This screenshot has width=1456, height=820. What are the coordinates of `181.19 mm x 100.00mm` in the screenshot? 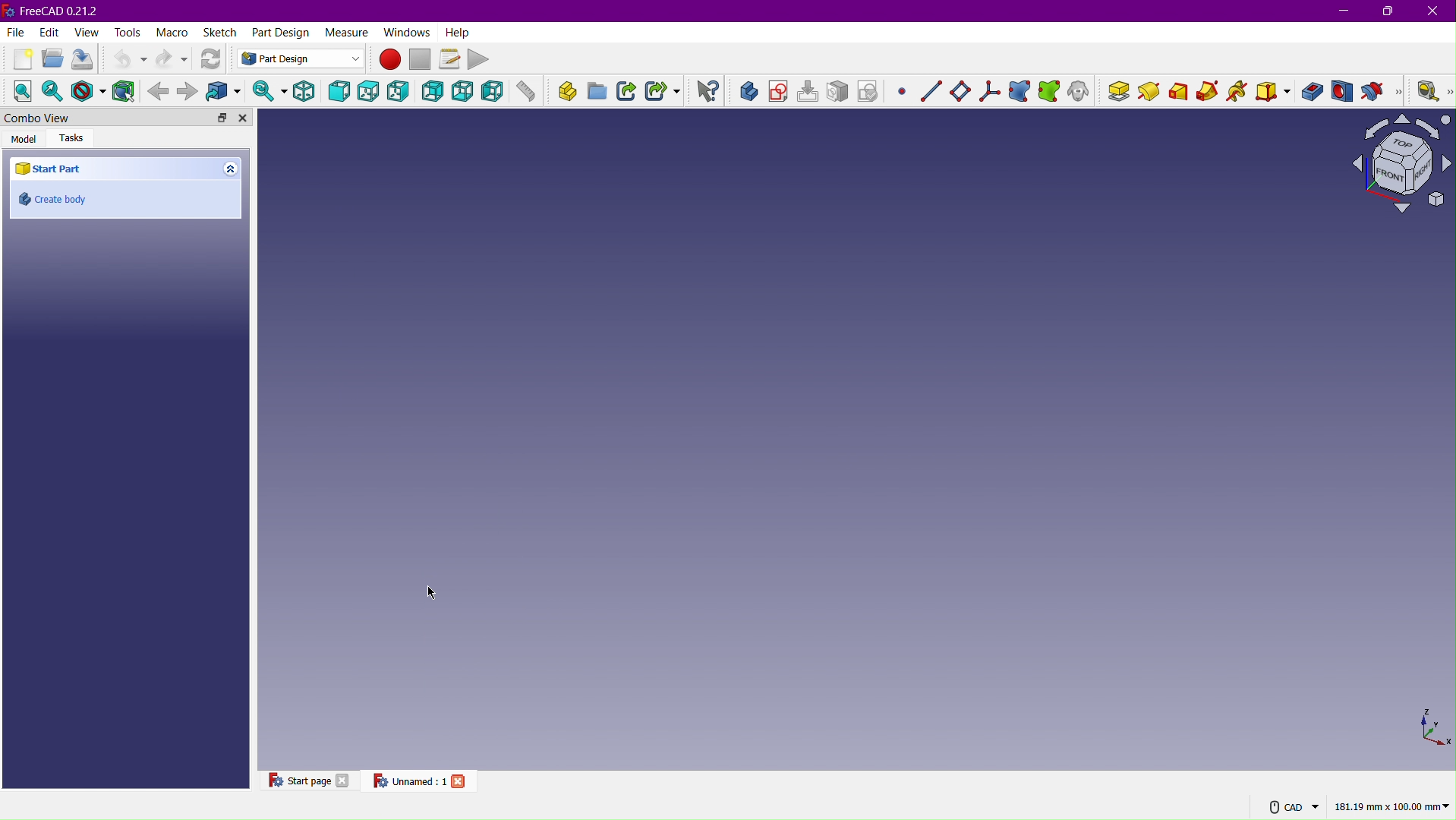 It's located at (1392, 806).